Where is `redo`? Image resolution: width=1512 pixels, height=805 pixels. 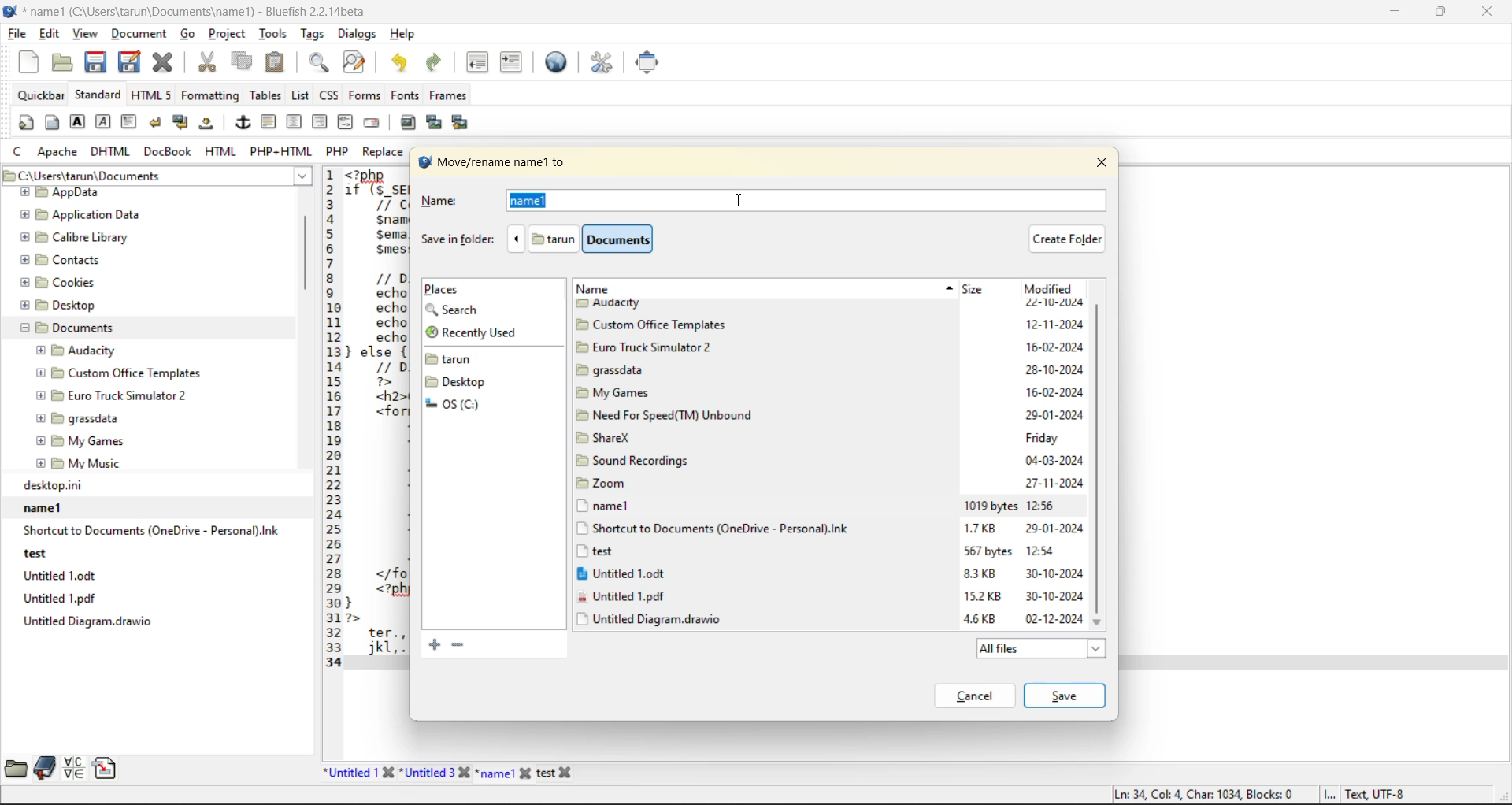
redo is located at coordinates (437, 62).